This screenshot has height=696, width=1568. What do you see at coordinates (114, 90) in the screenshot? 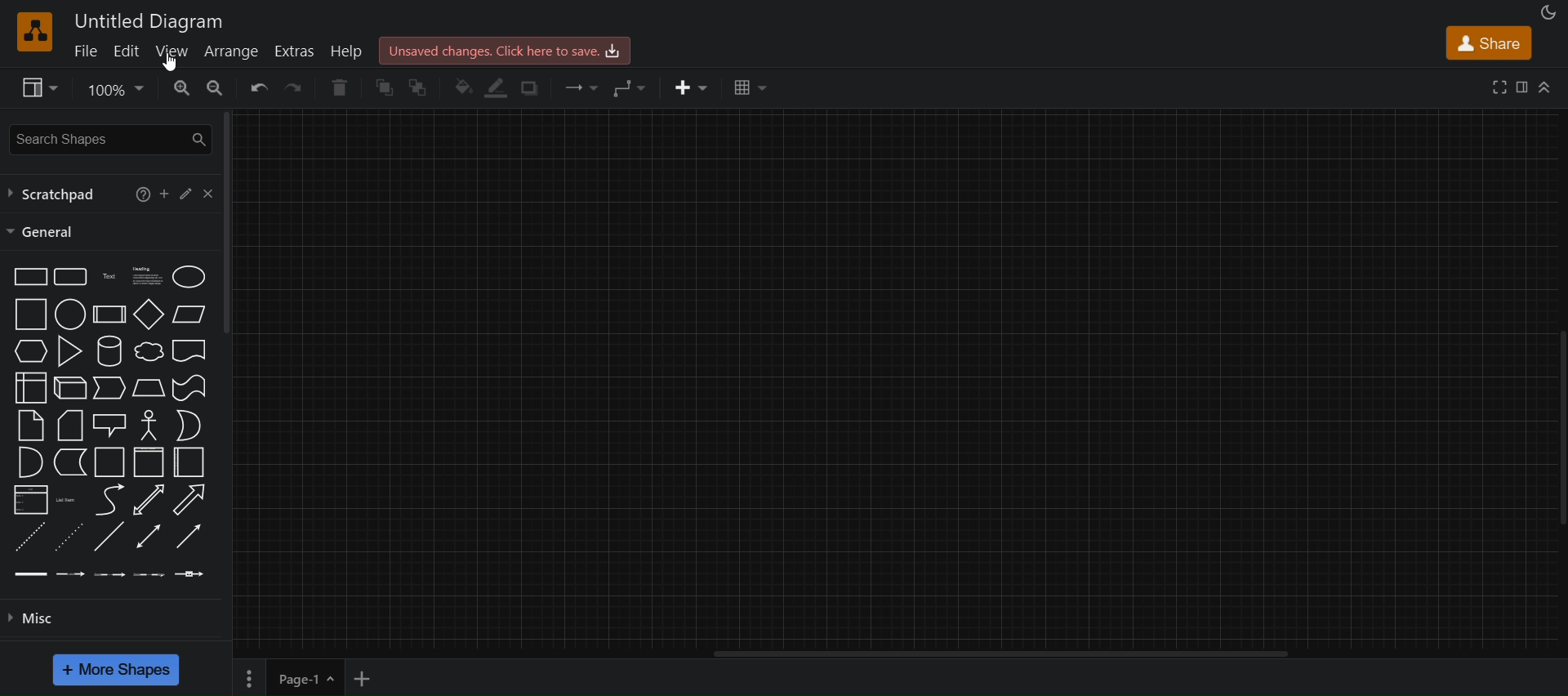
I see `zoom` at bounding box center [114, 90].